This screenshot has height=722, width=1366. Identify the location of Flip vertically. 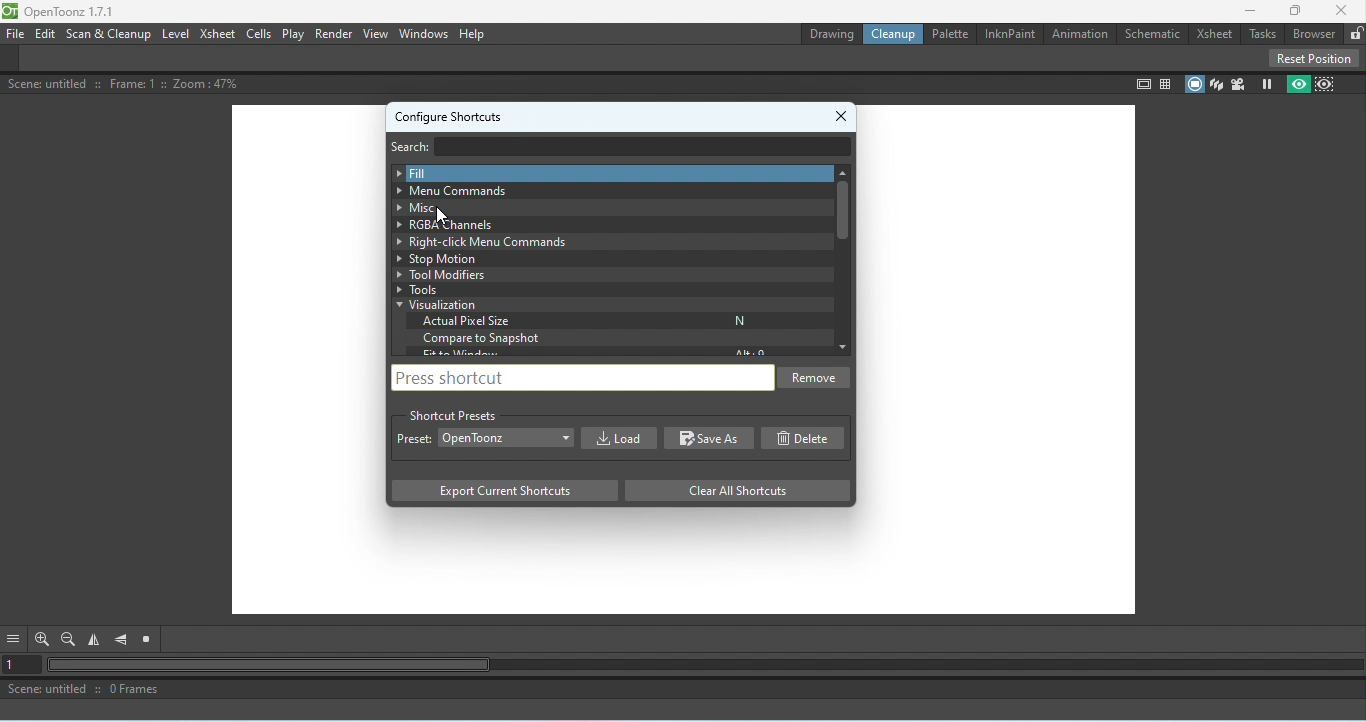
(122, 640).